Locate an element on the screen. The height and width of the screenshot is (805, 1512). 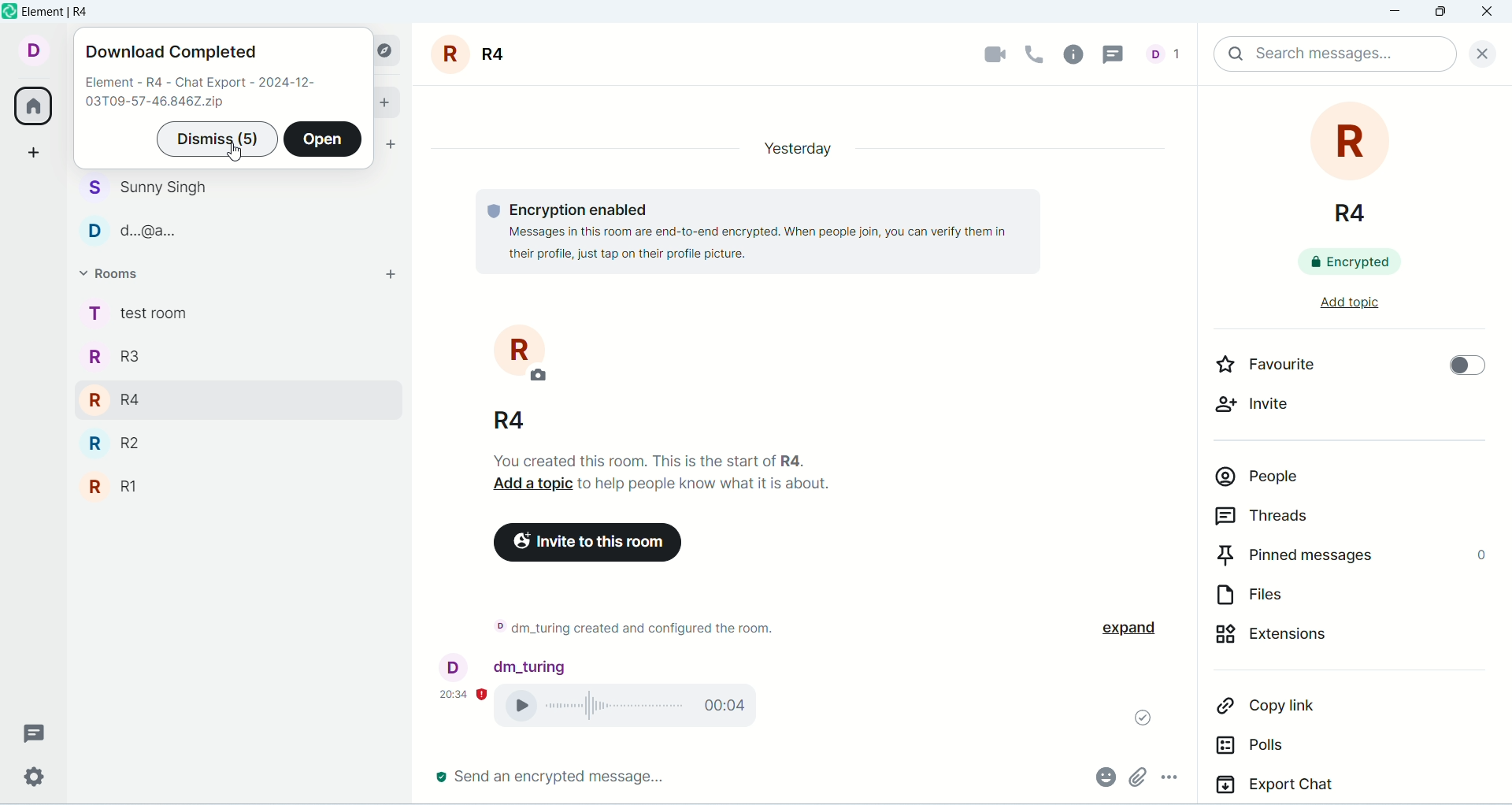
logo is located at coordinates (9, 11).